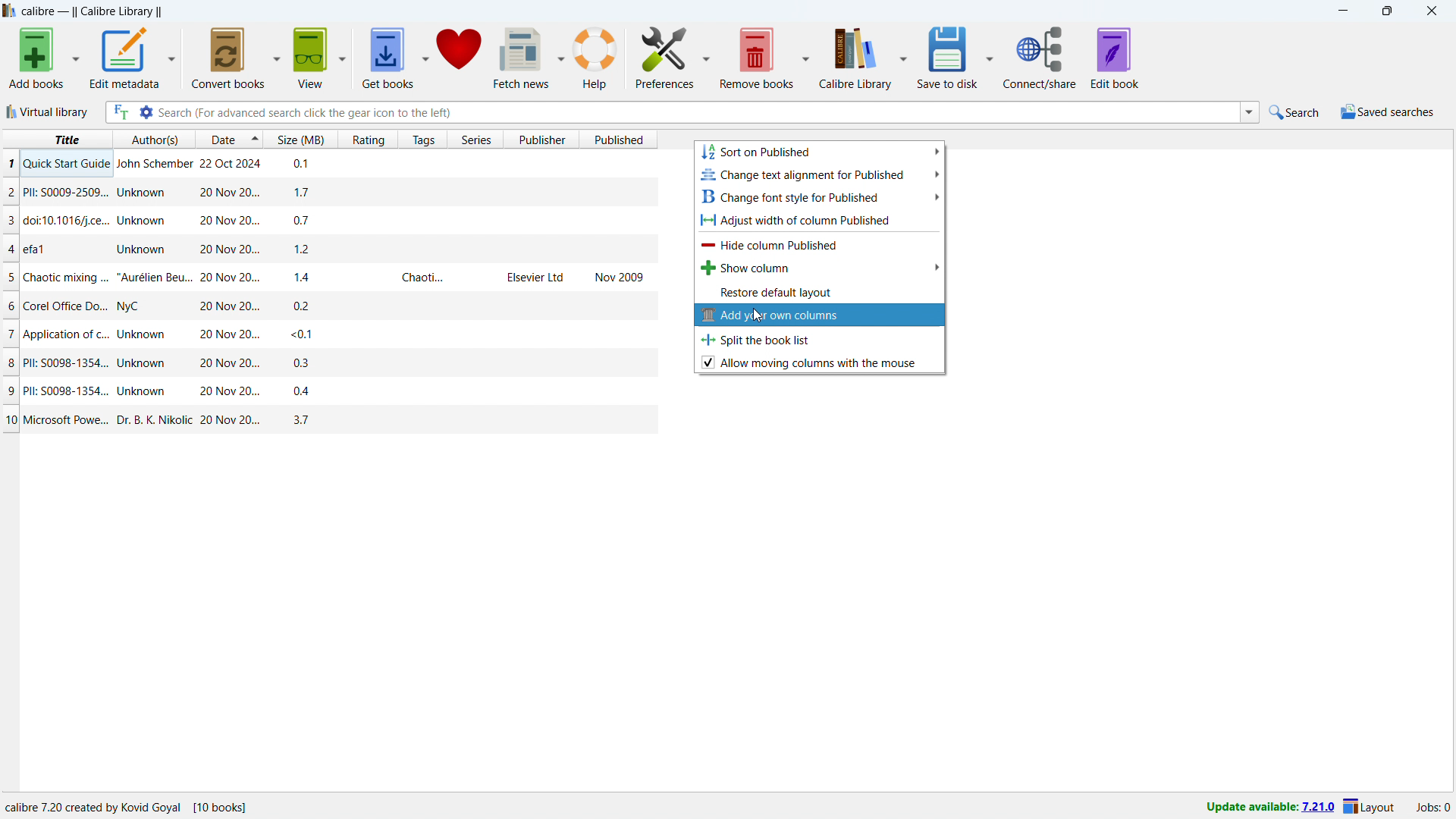 This screenshot has height=819, width=1456. Describe the element at coordinates (388, 58) in the screenshot. I see `get books` at that location.